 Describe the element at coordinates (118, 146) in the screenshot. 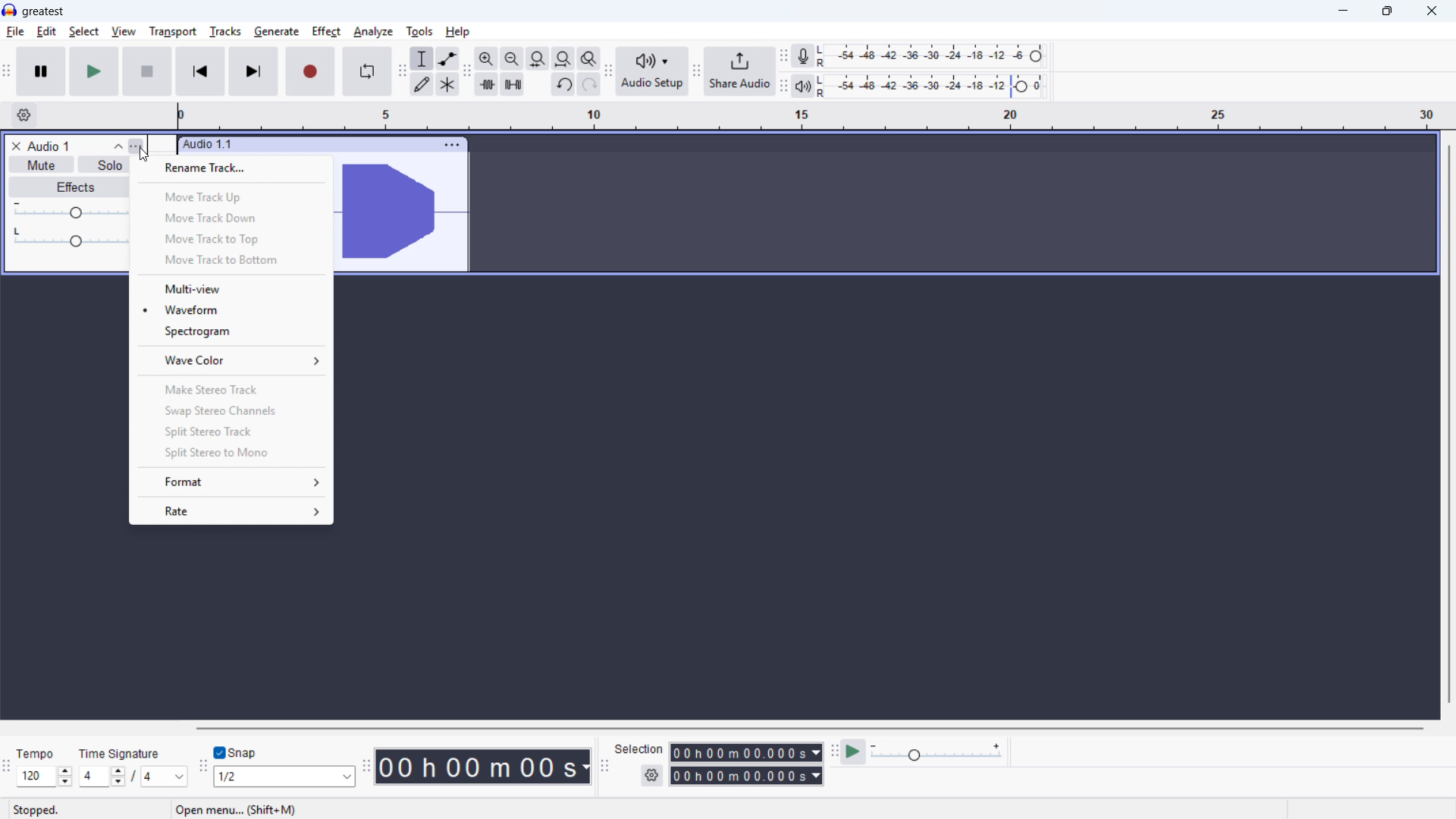

I see `collapse` at that location.